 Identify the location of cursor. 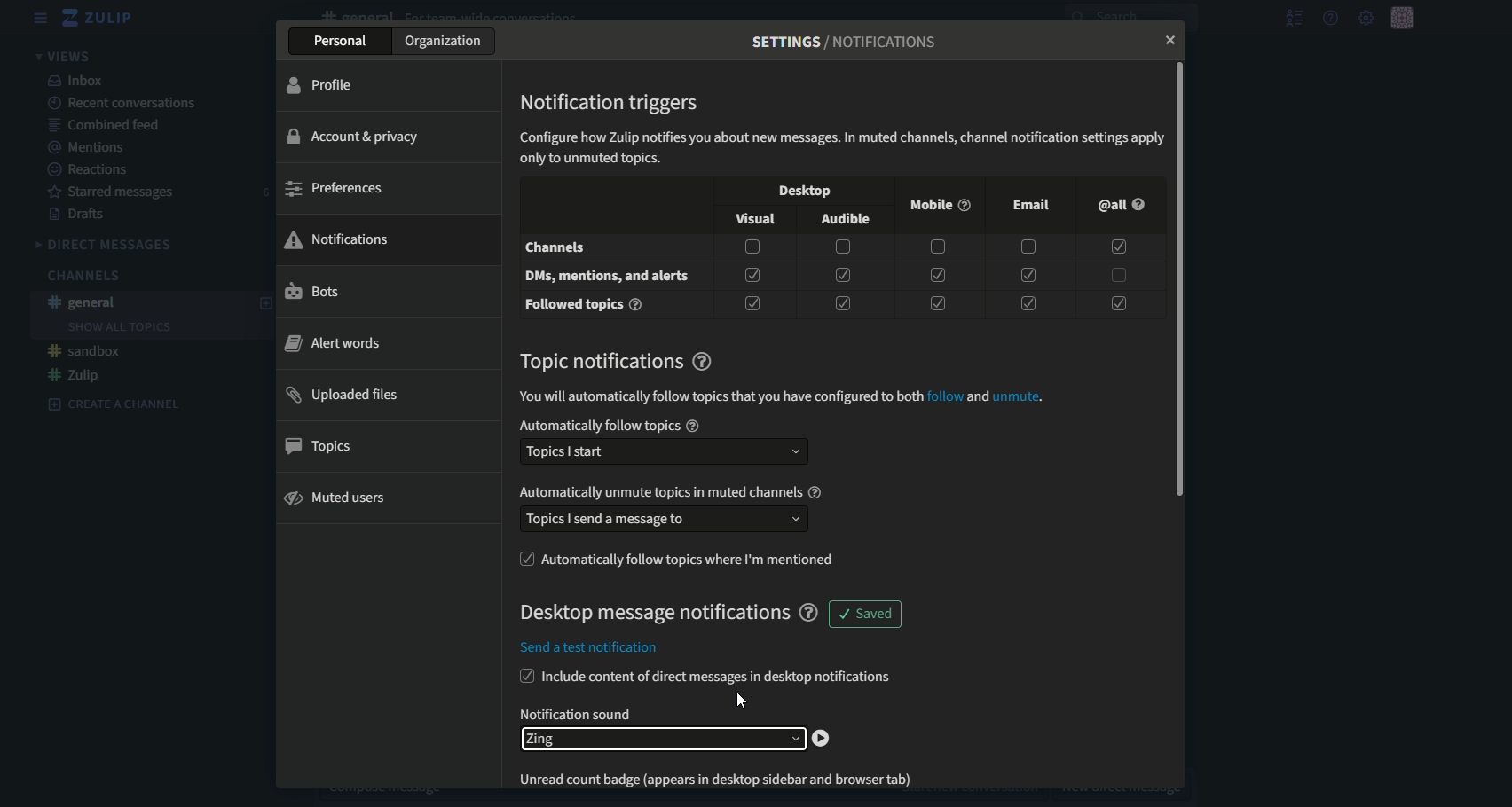
(742, 700).